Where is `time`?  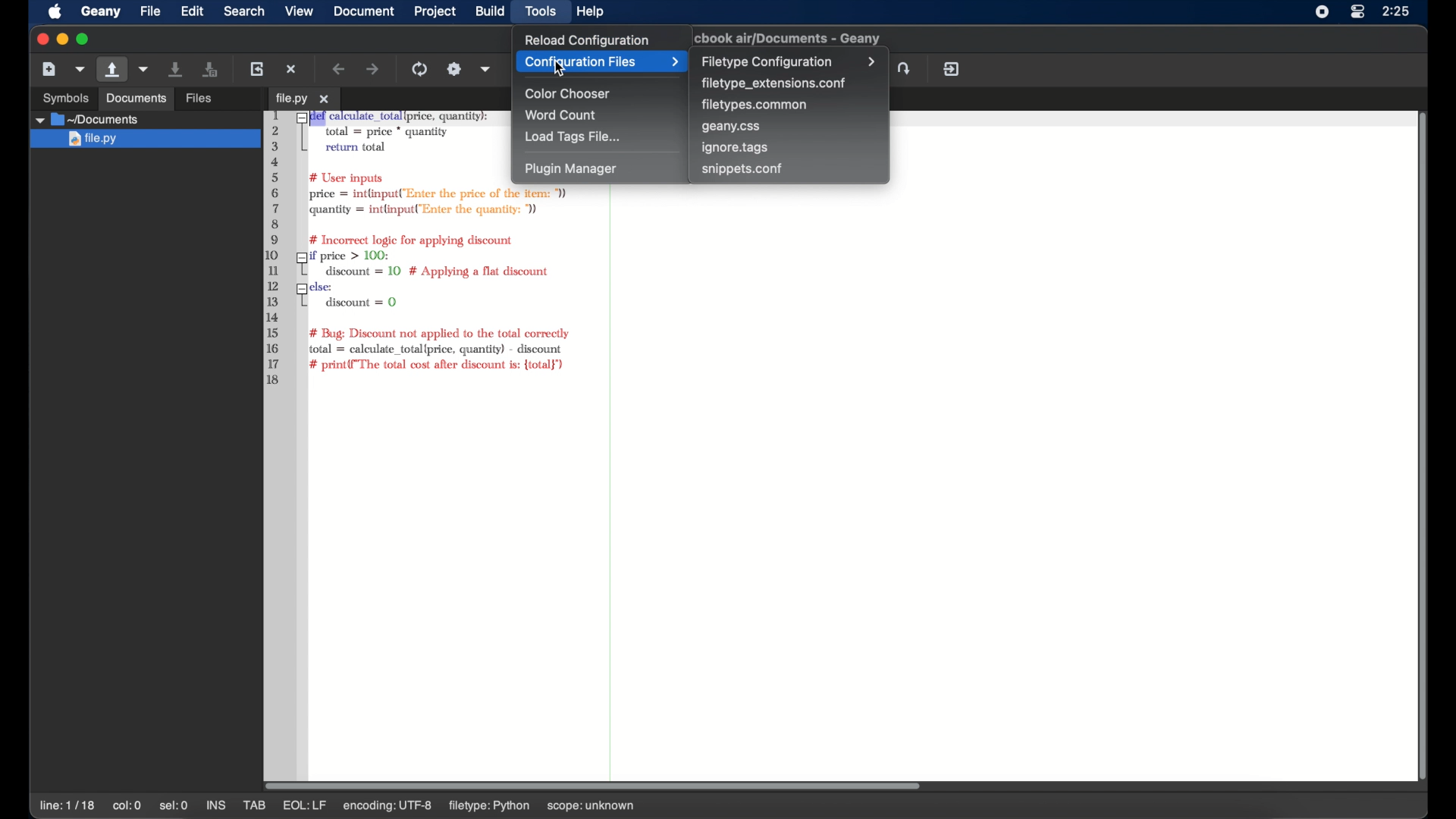
time is located at coordinates (1398, 11).